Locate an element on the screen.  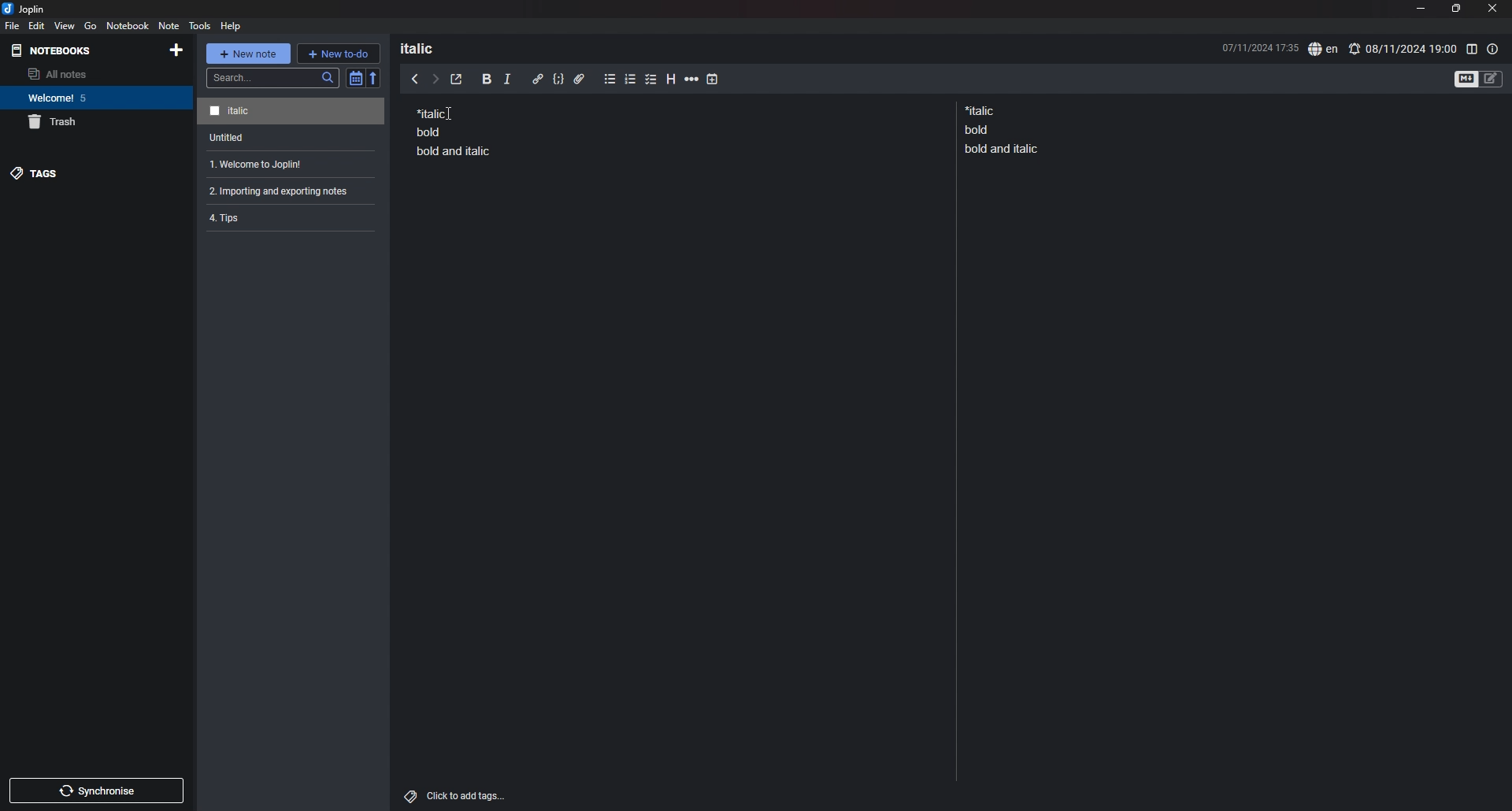
resize is located at coordinates (1455, 9).